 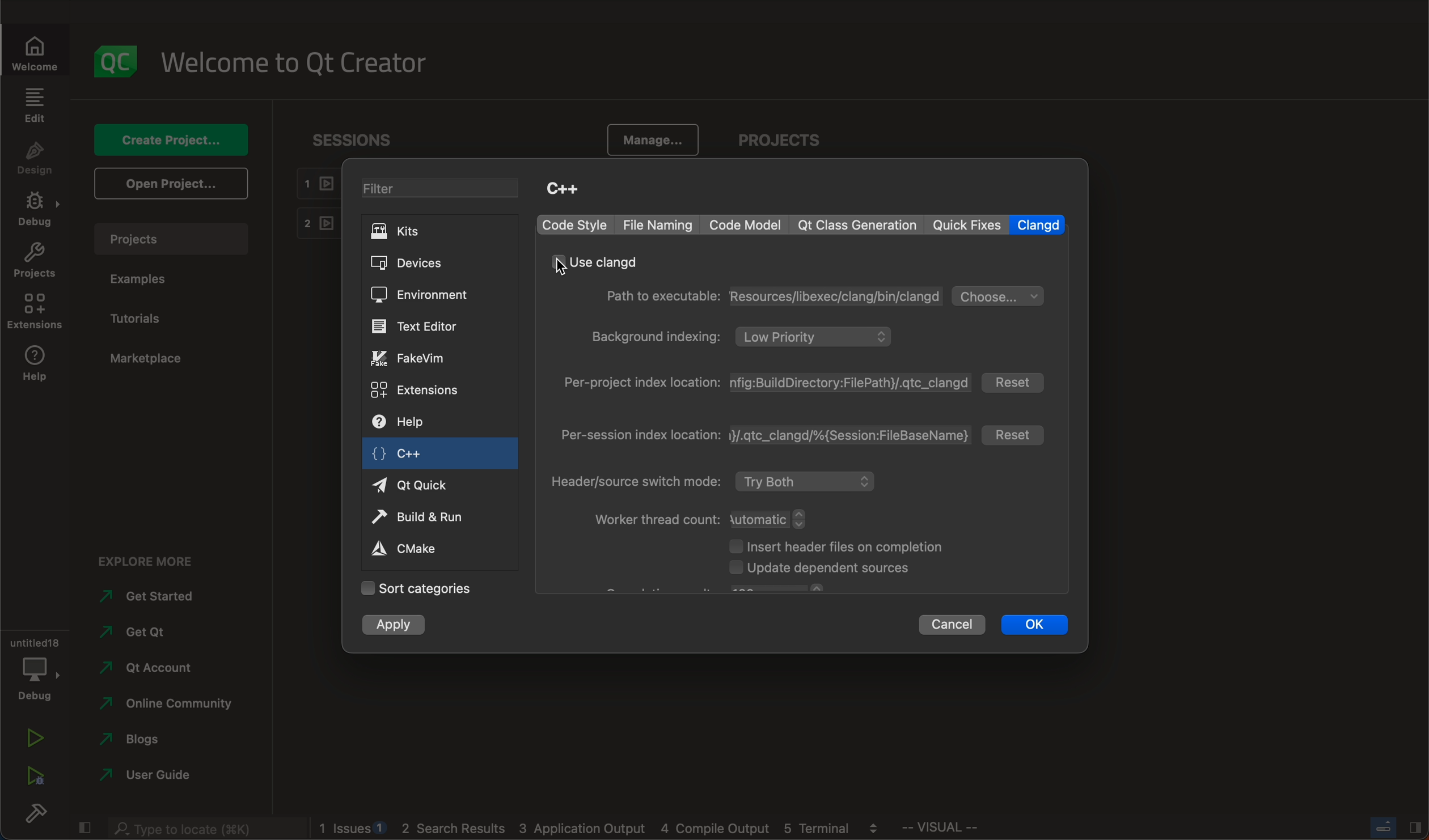 What do you see at coordinates (145, 315) in the screenshot?
I see `tutorials` at bounding box center [145, 315].